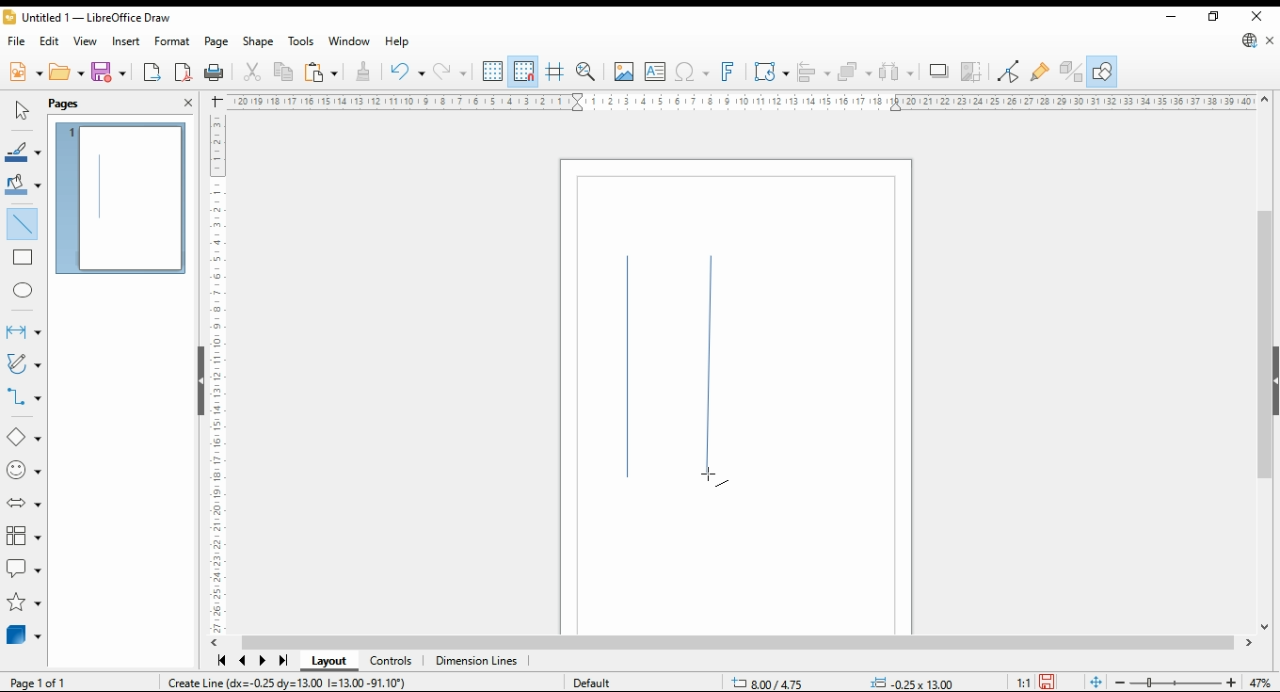  Describe the element at coordinates (215, 71) in the screenshot. I see `print` at that location.